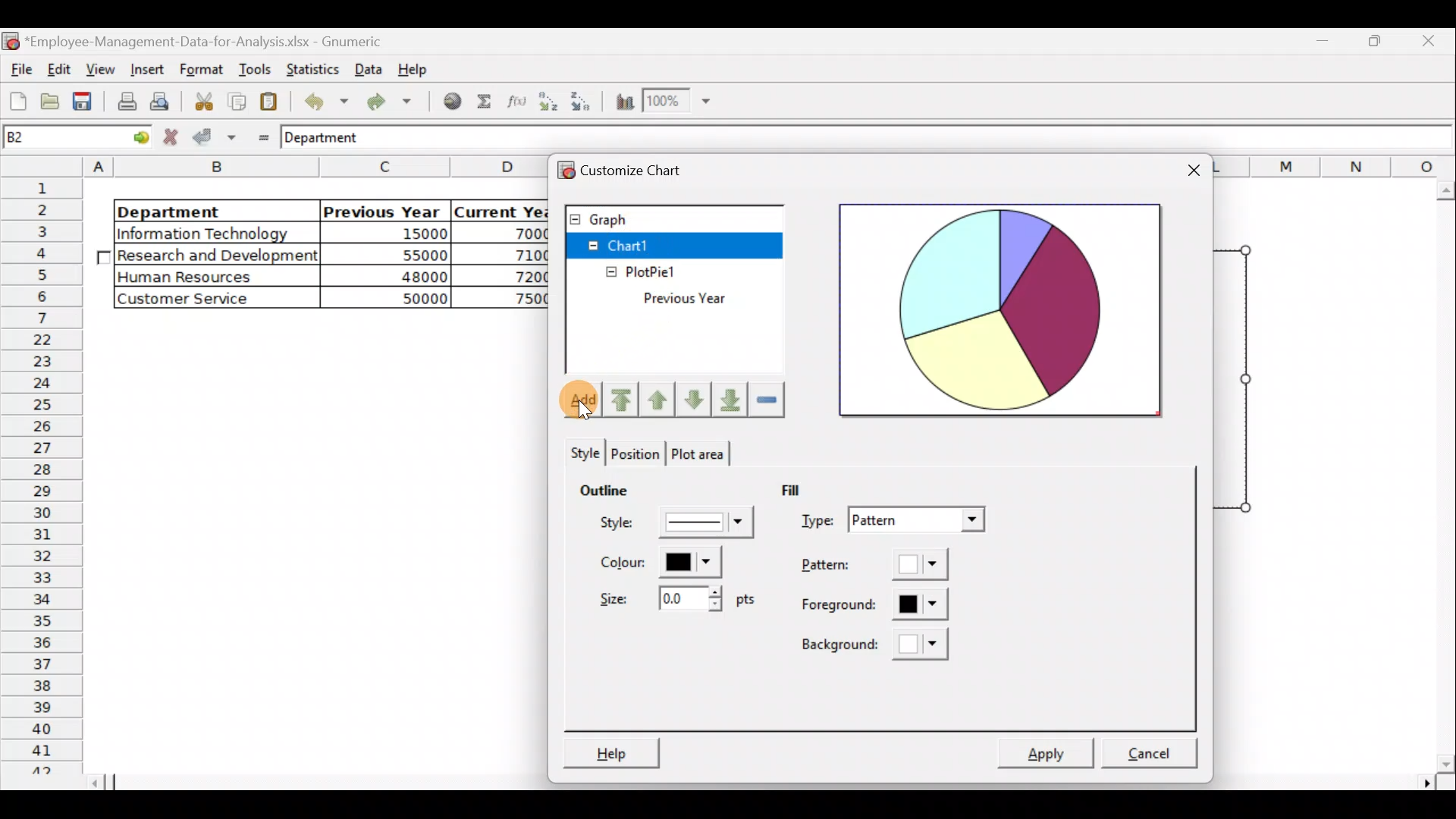 The width and height of the screenshot is (1456, 819). What do you see at coordinates (399, 278) in the screenshot?
I see `48000` at bounding box center [399, 278].